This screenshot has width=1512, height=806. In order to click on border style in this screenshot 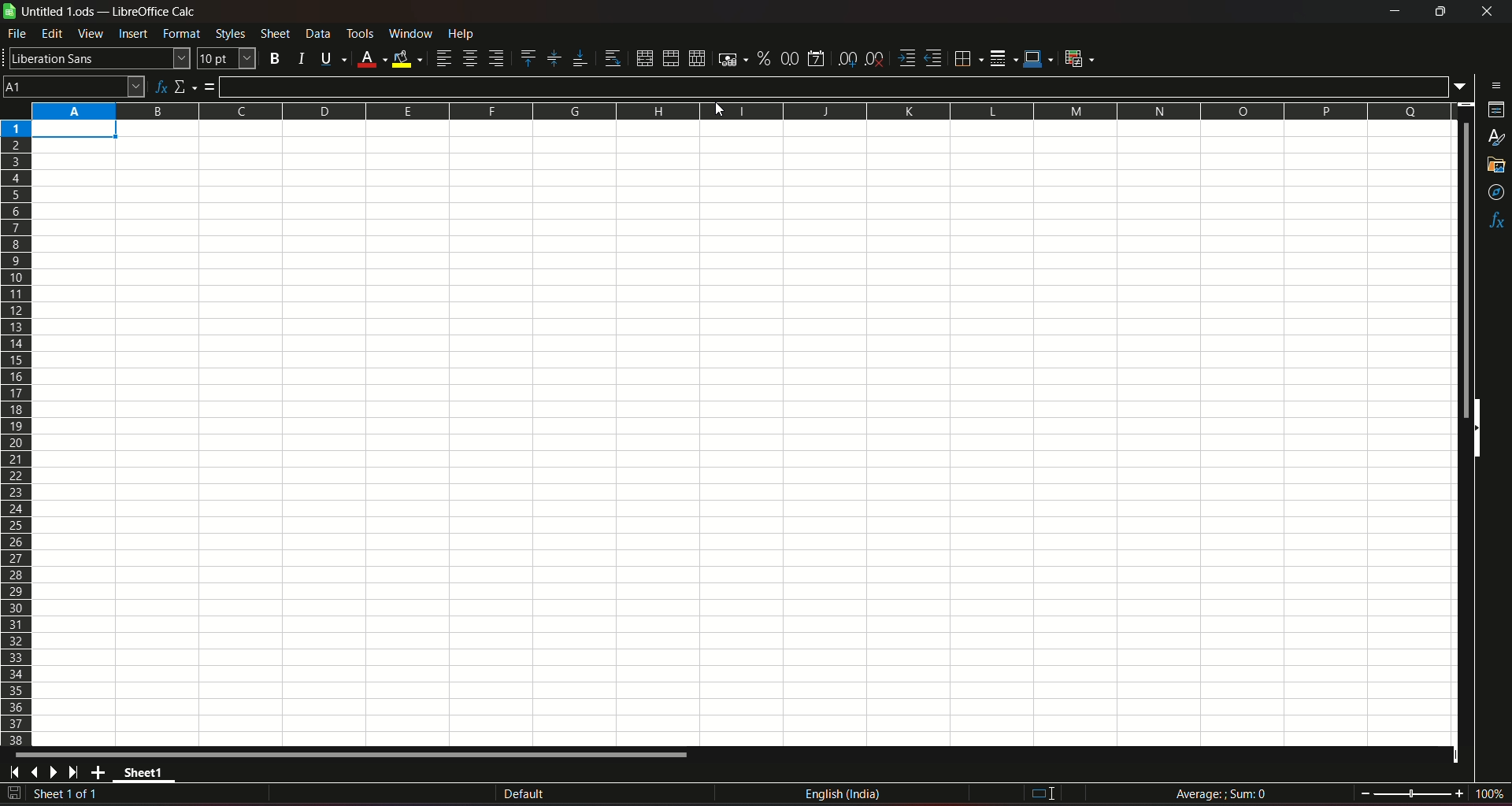, I will do `click(1005, 57)`.